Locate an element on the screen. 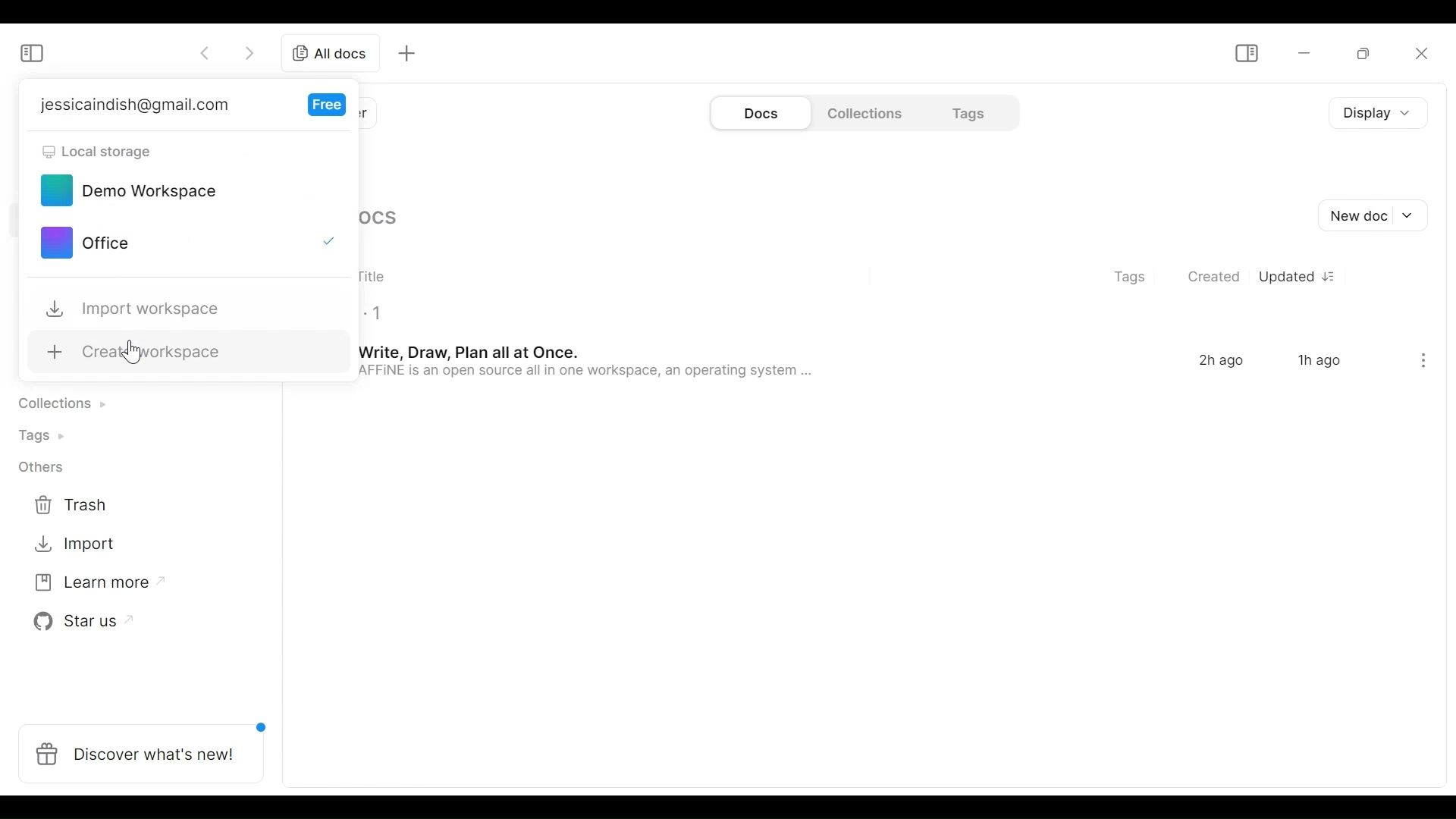 This screenshot has height=819, width=1456. Show/Hide Sidebar is located at coordinates (33, 50).